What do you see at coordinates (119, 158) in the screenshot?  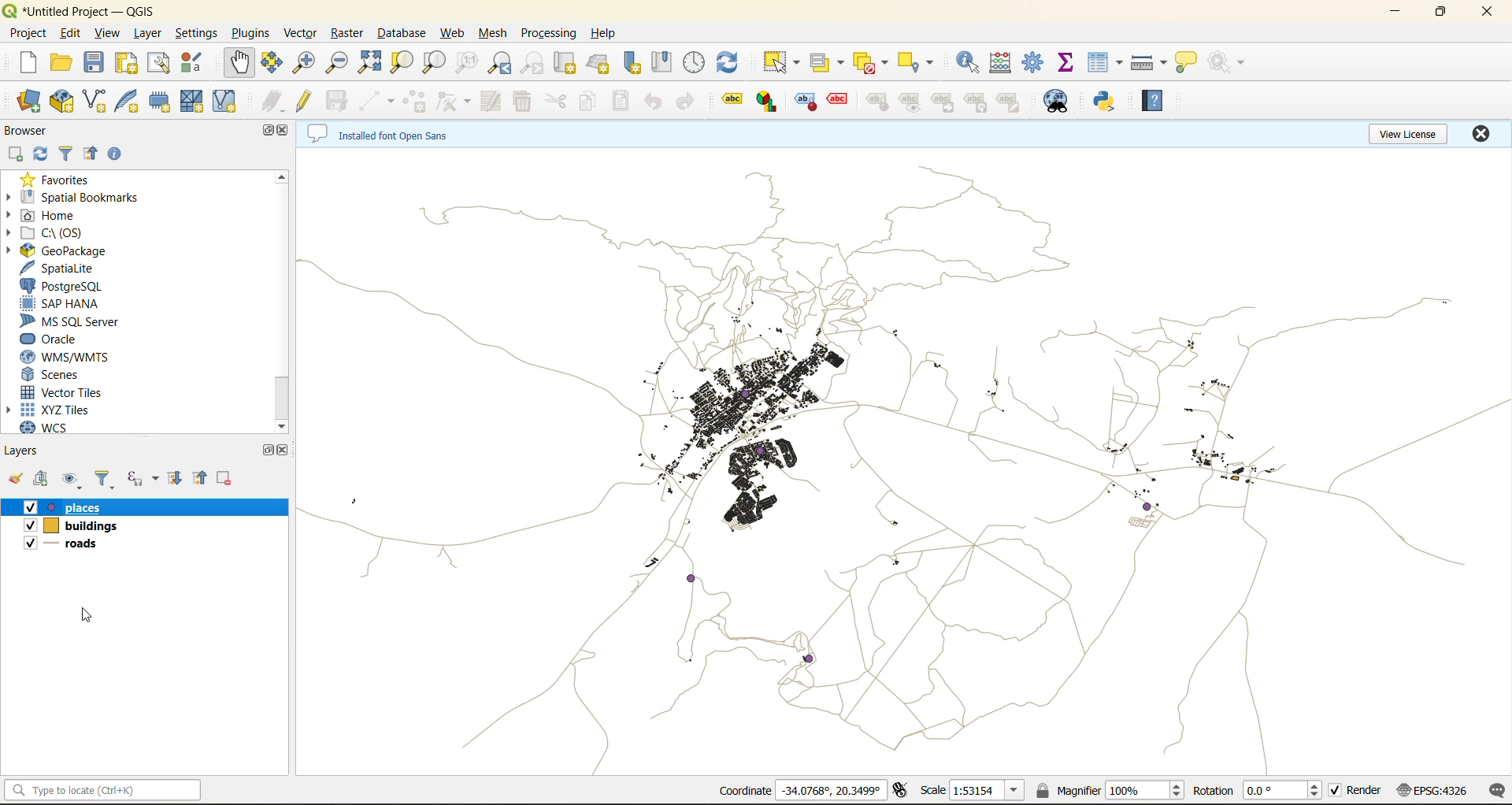 I see `enable/disable properties` at bounding box center [119, 158].